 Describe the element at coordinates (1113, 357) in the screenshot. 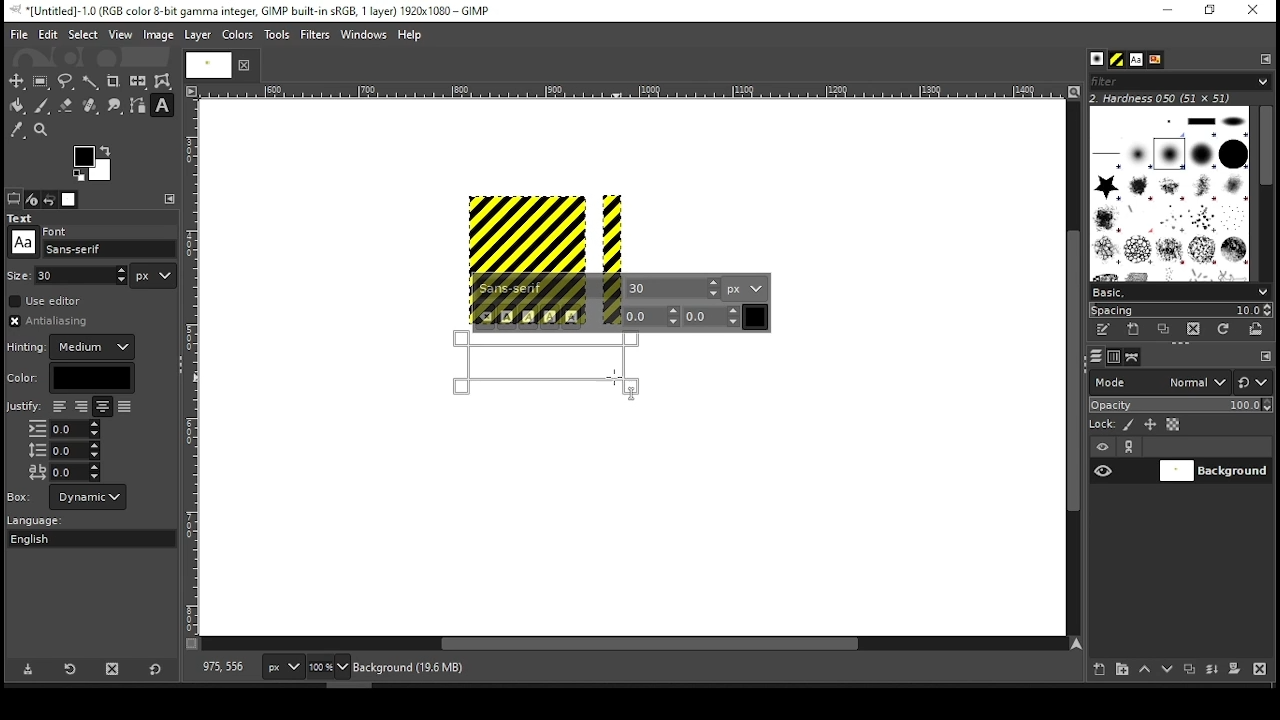

I see `channels` at that location.